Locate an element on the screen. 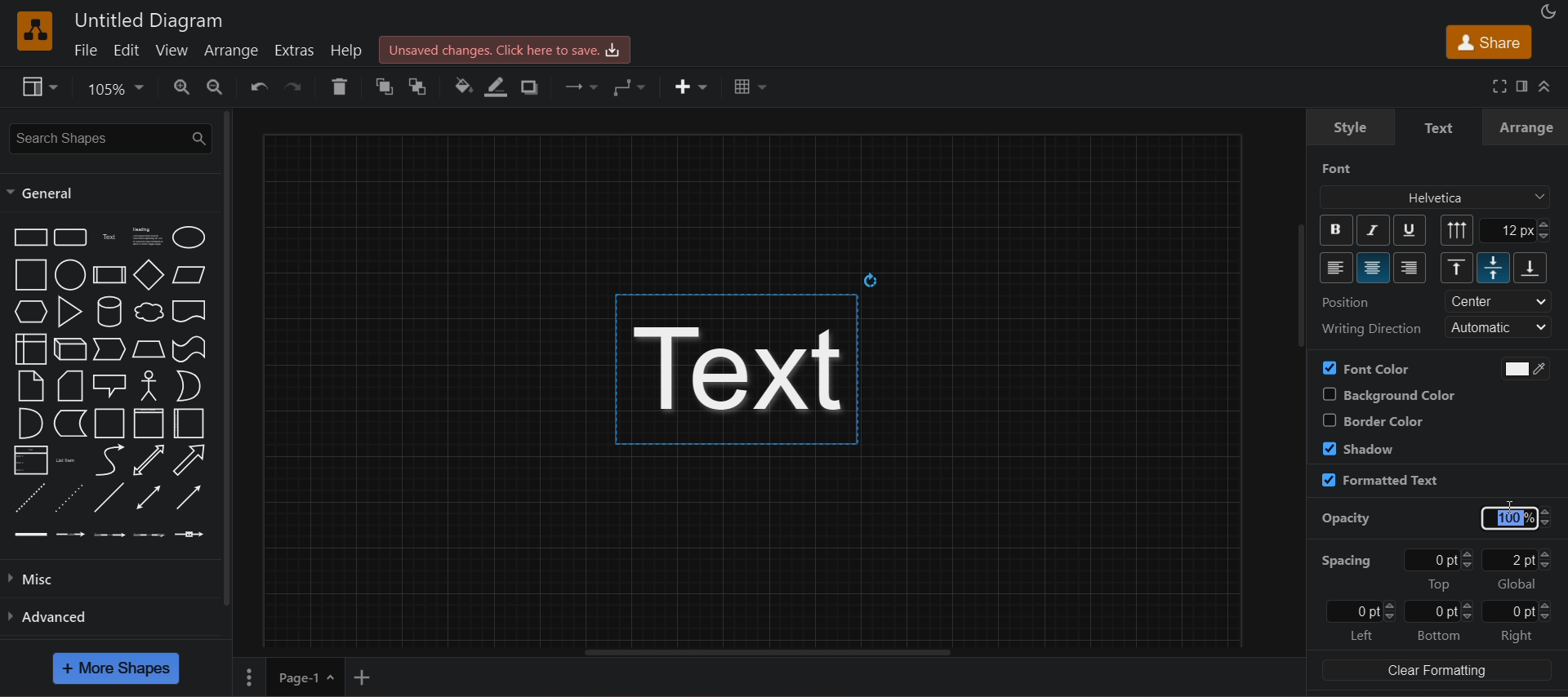 This screenshot has height=697, width=1568. clear formatting is located at coordinates (1437, 670).